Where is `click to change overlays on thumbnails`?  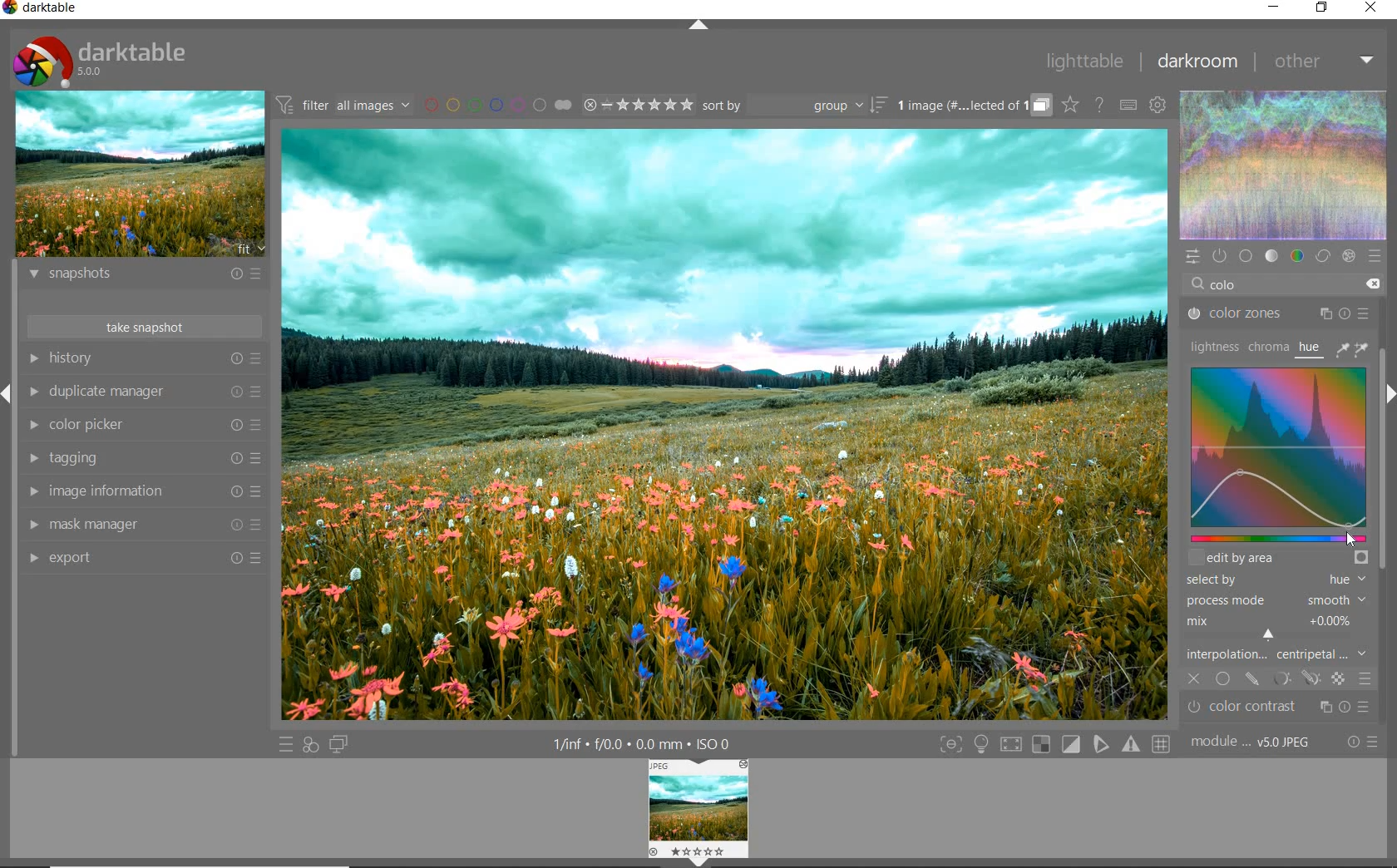 click to change overlays on thumbnails is located at coordinates (1069, 104).